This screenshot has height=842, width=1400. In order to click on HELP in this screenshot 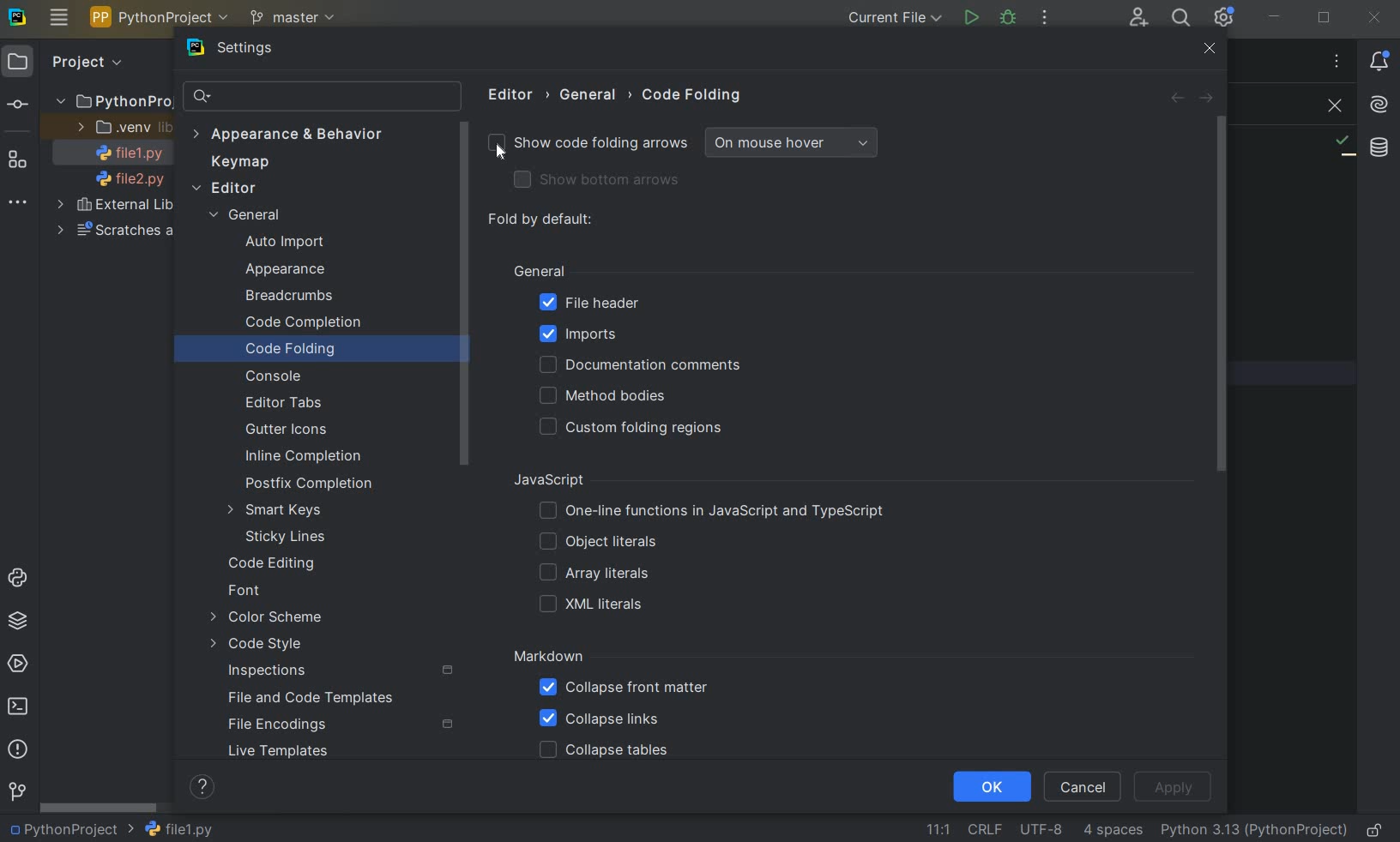, I will do `click(204, 786)`.